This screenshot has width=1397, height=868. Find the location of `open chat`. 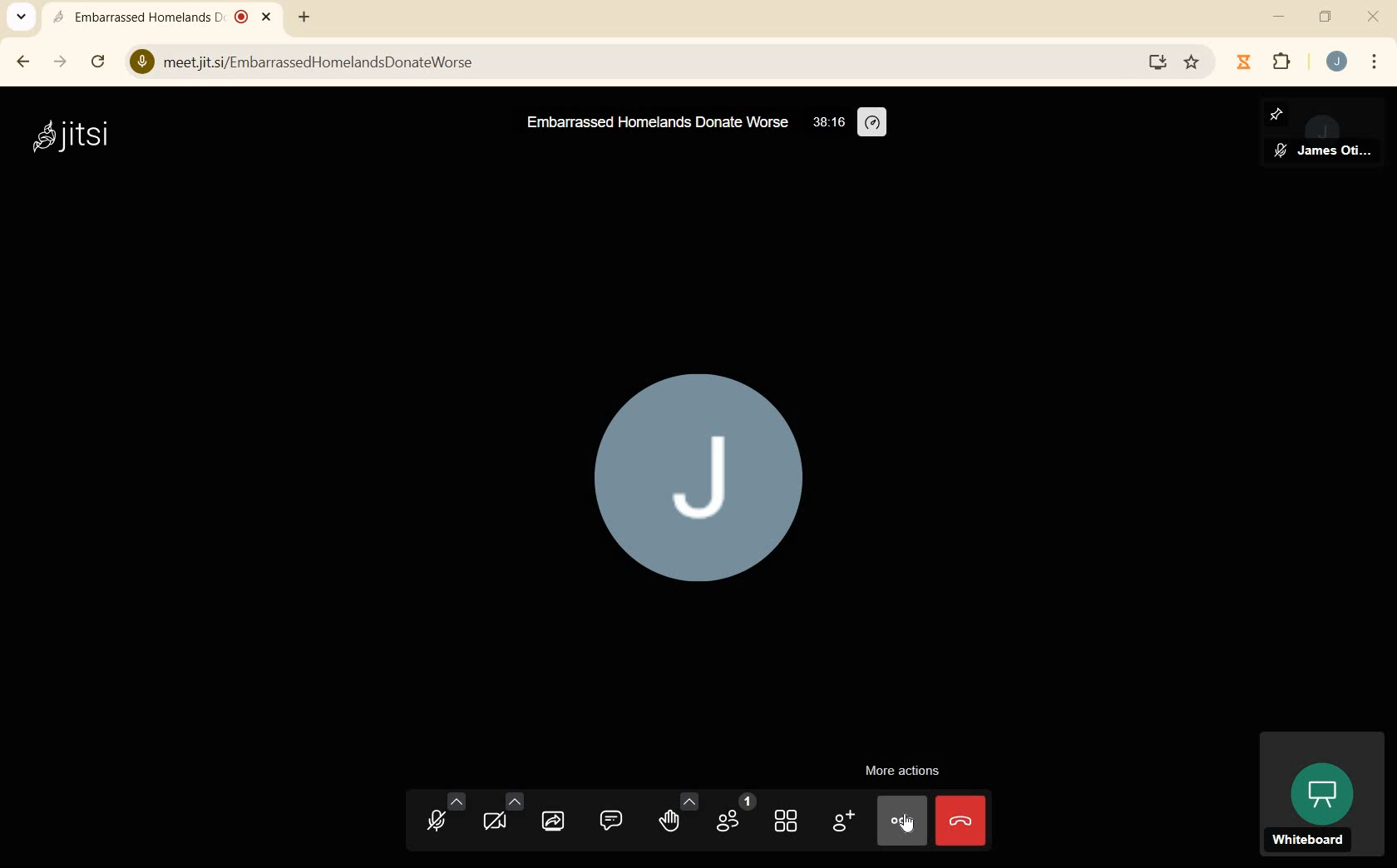

open chat is located at coordinates (611, 821).